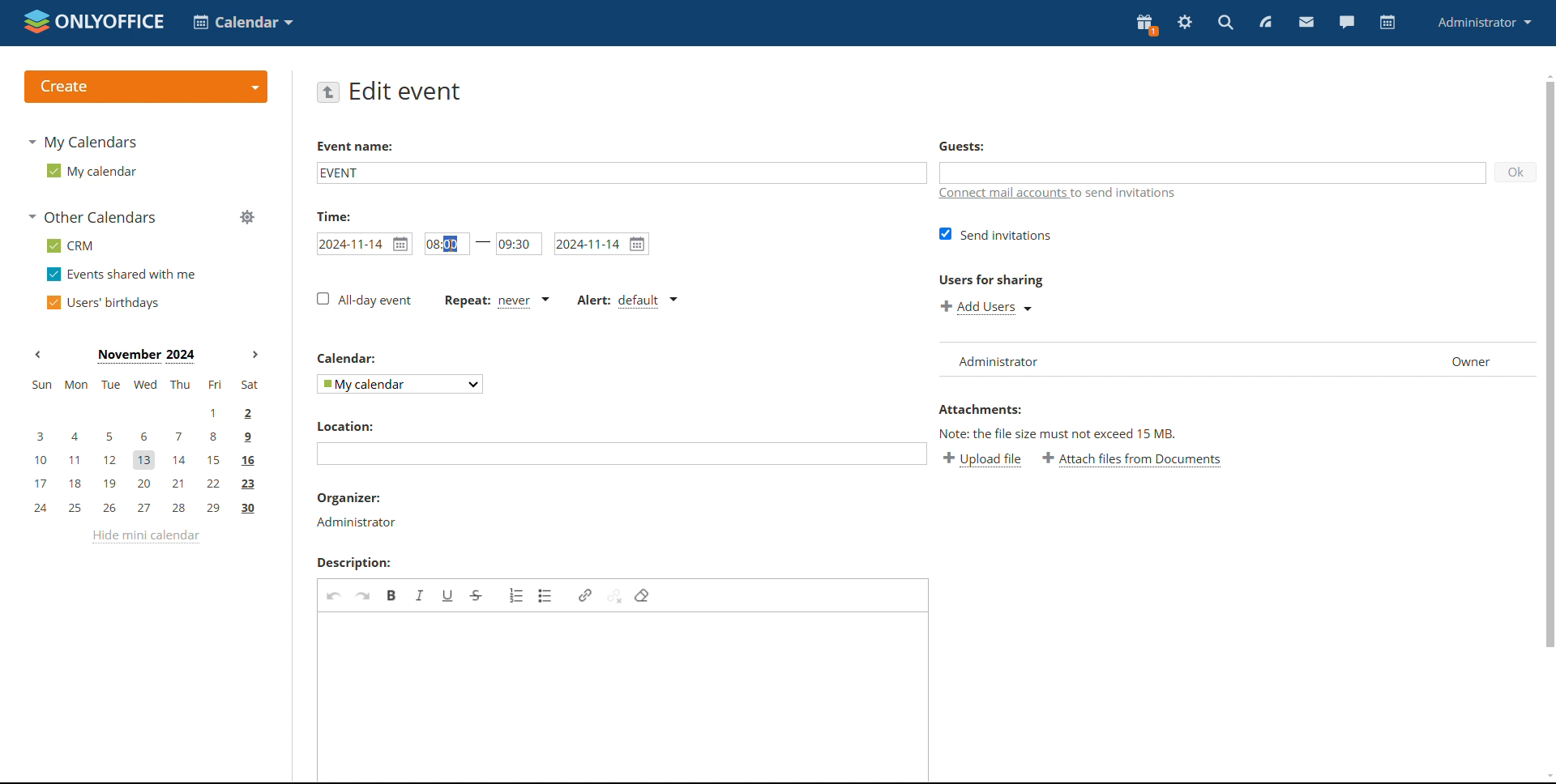  I want to click on strikethrough, so click(477, 596).